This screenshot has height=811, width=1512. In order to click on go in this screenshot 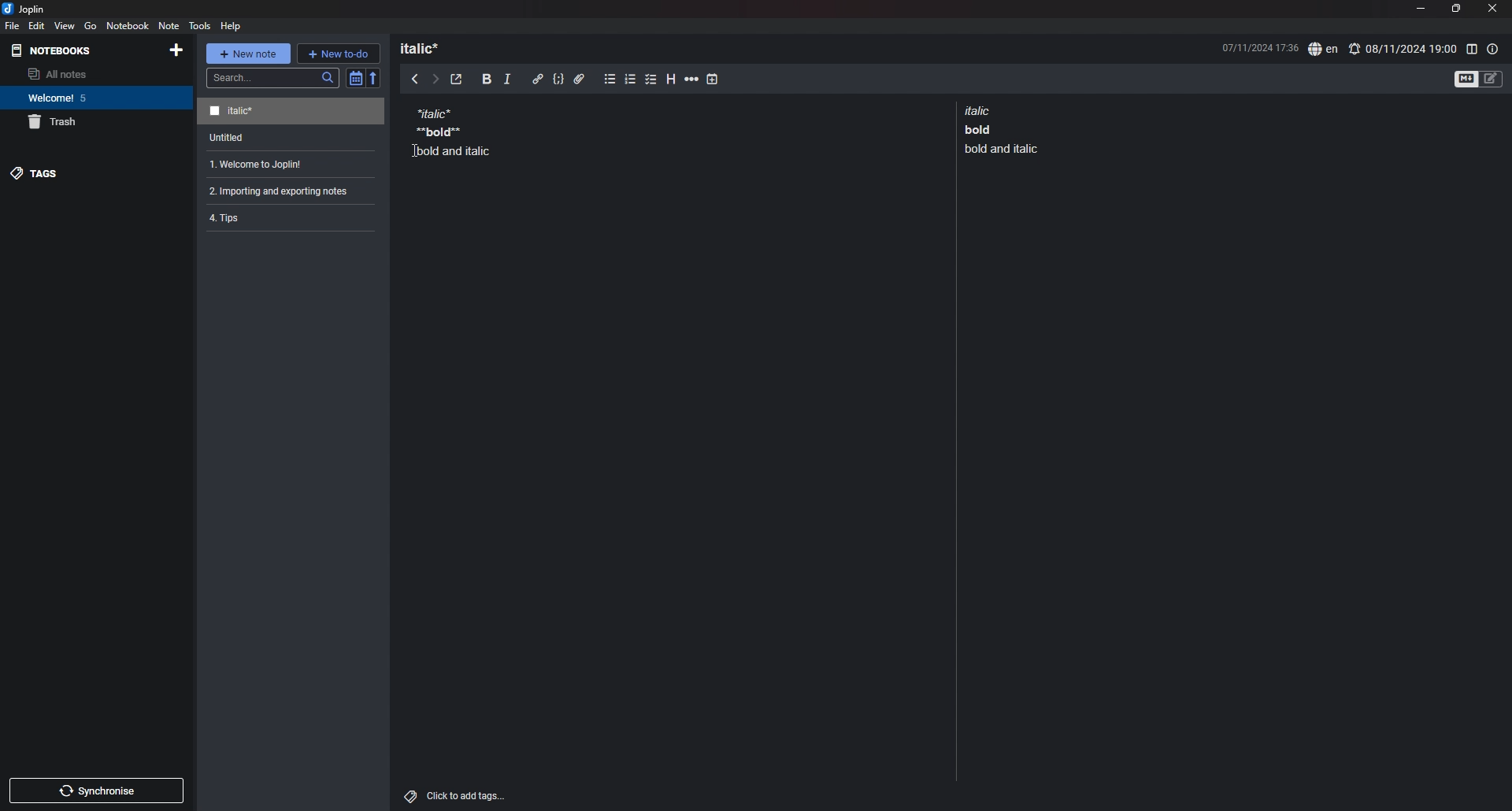, I will do `click(90, 26)`.